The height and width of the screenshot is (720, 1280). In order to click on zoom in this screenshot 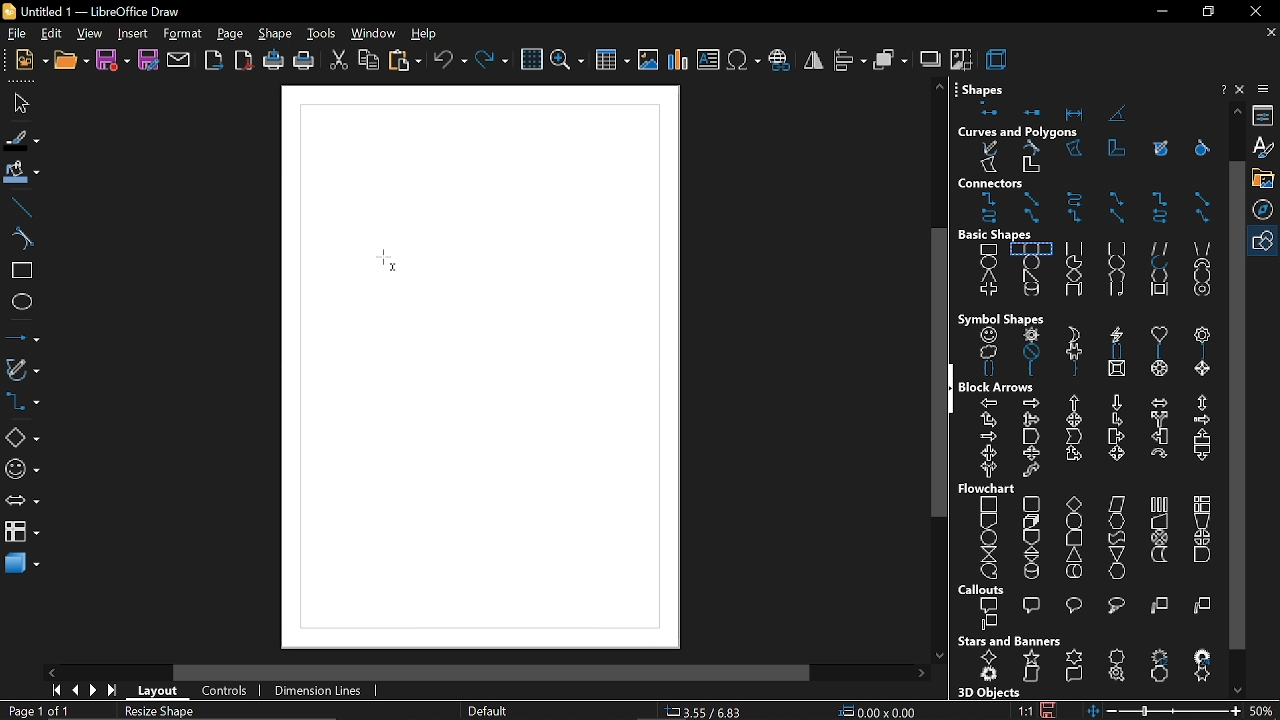, I will do `click(566, 62)`.